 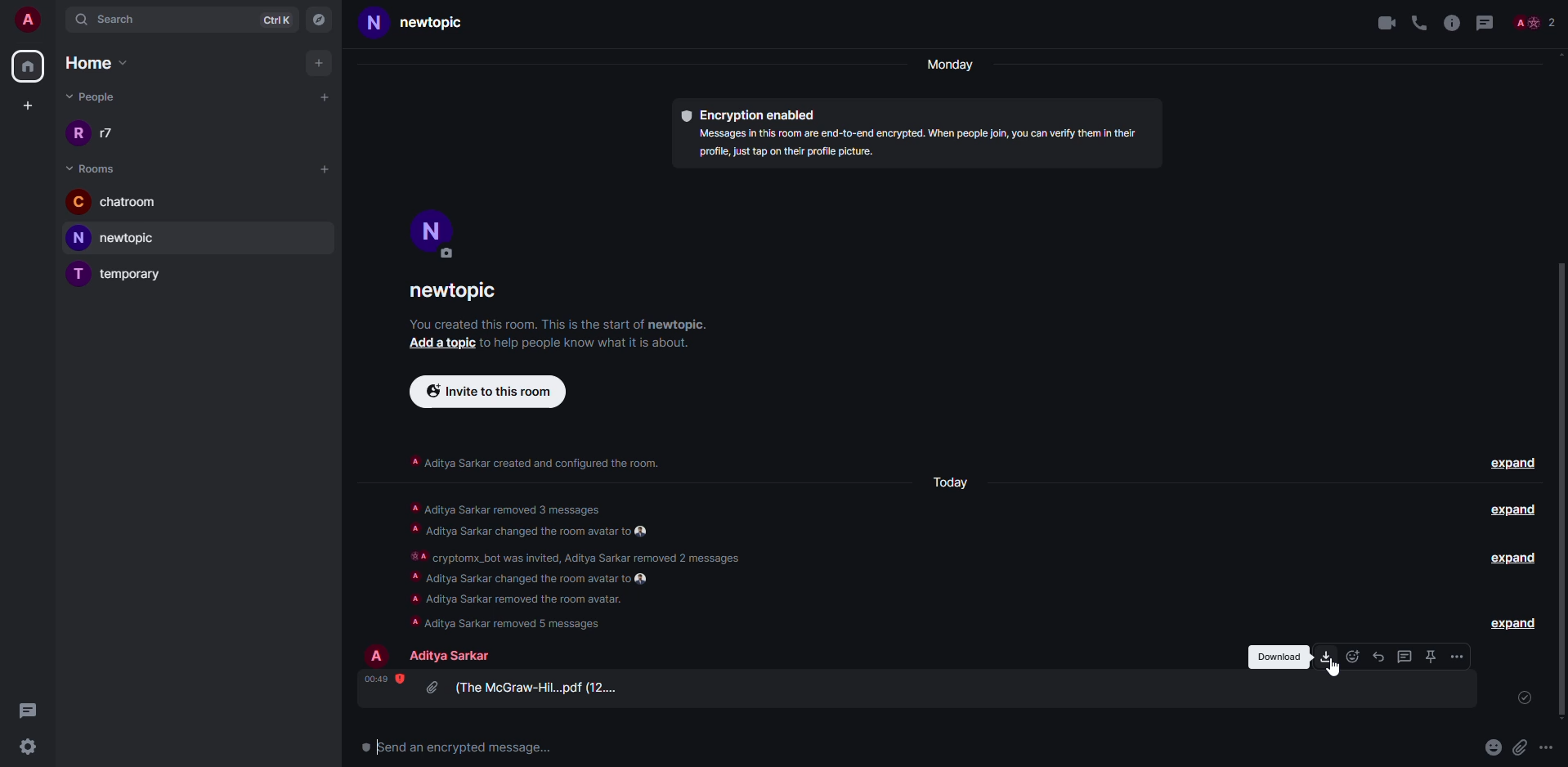 What do you see at coordinates (96, 97) in the screenshot?
I see `people` at bounding box center [96, 97].